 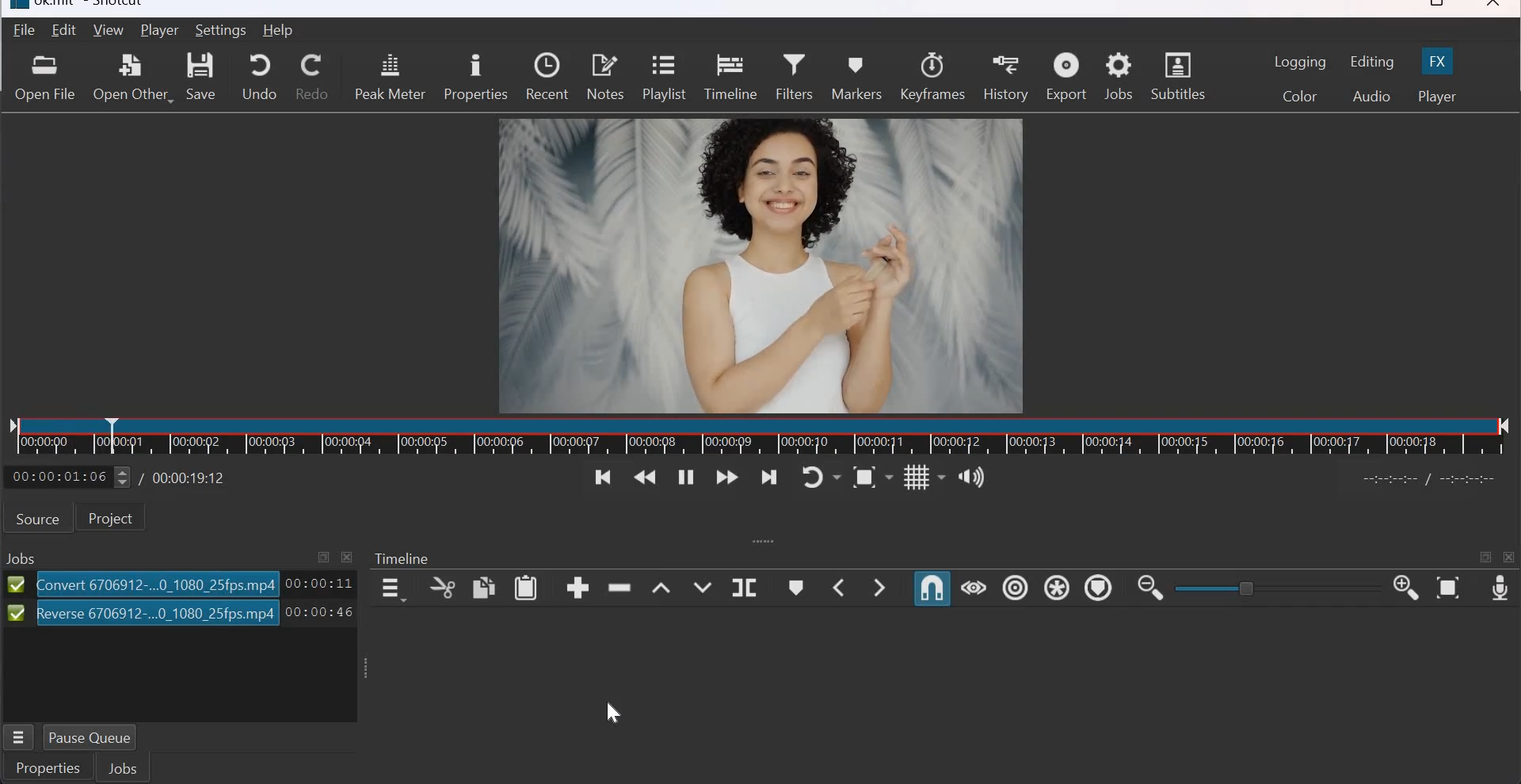 What do you see at coordinates (701, 584) in the screenshot?
I see `Overwrite` at bounding box center [701, 584].